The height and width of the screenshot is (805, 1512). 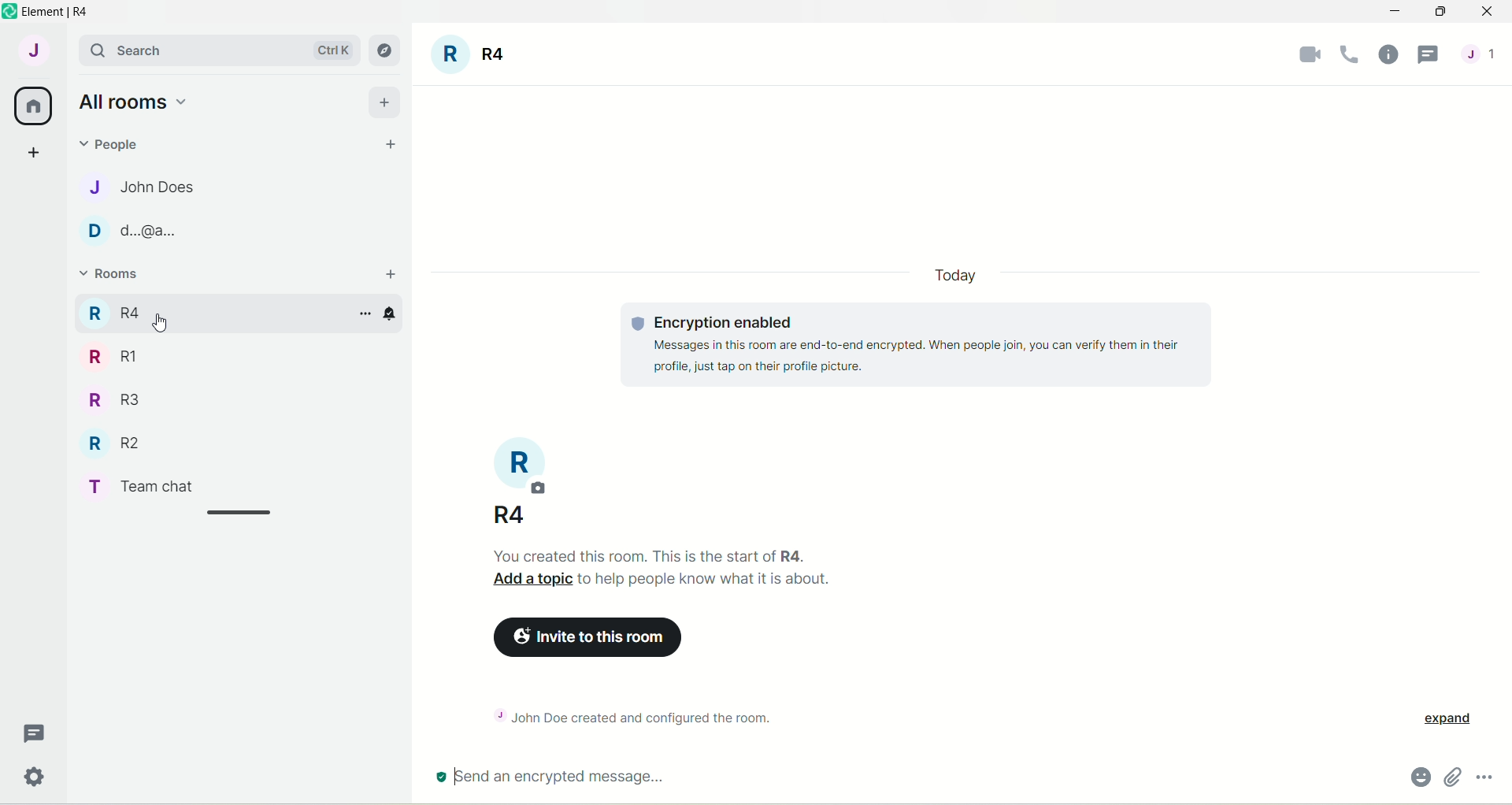 What do you see at coordinates (661, 778) in the screenshot?
I see `send an encrypted message...` at bounding box center [661, 778].